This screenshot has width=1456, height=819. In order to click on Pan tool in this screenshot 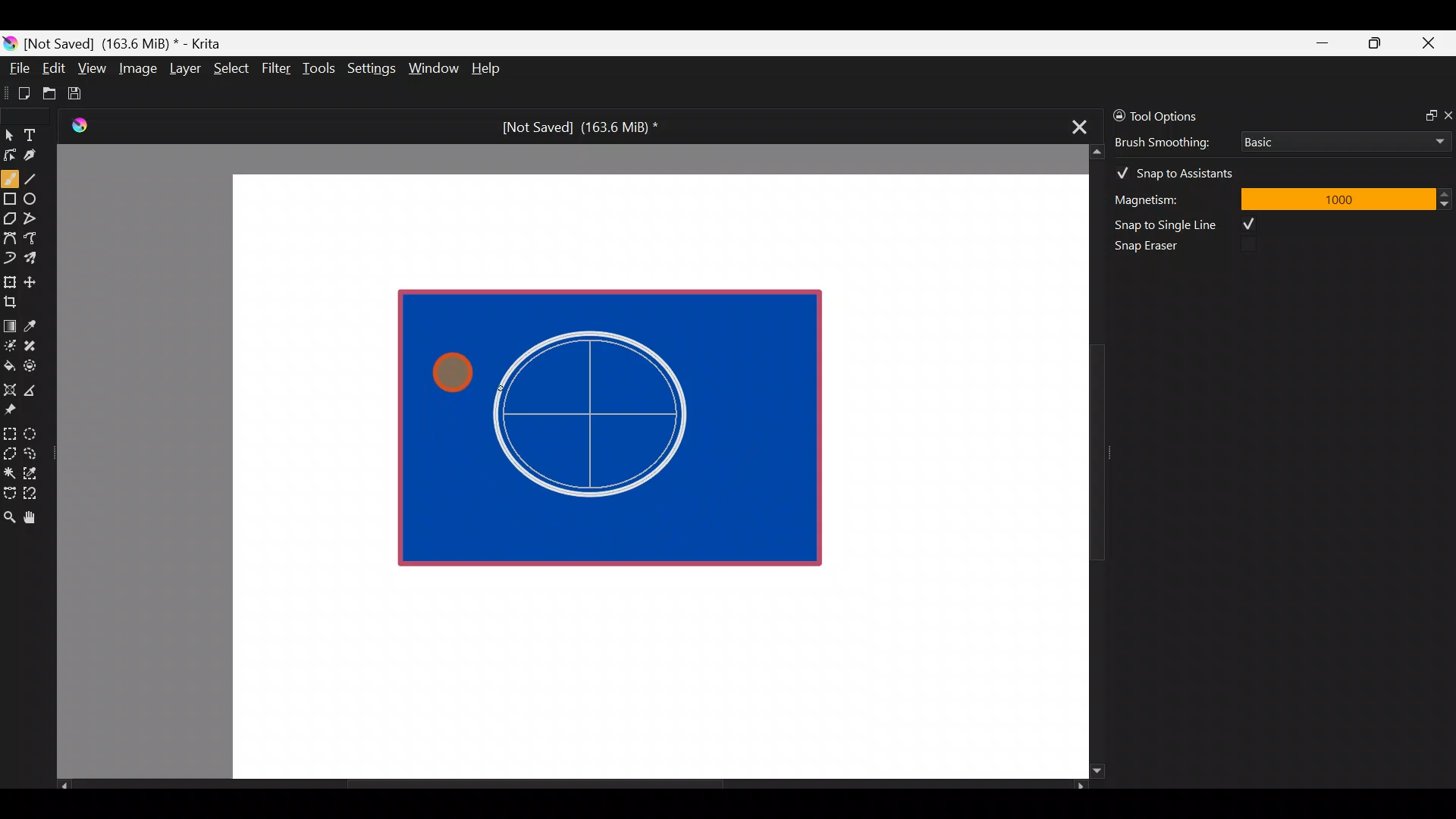, I will do `click(36, 518)`.